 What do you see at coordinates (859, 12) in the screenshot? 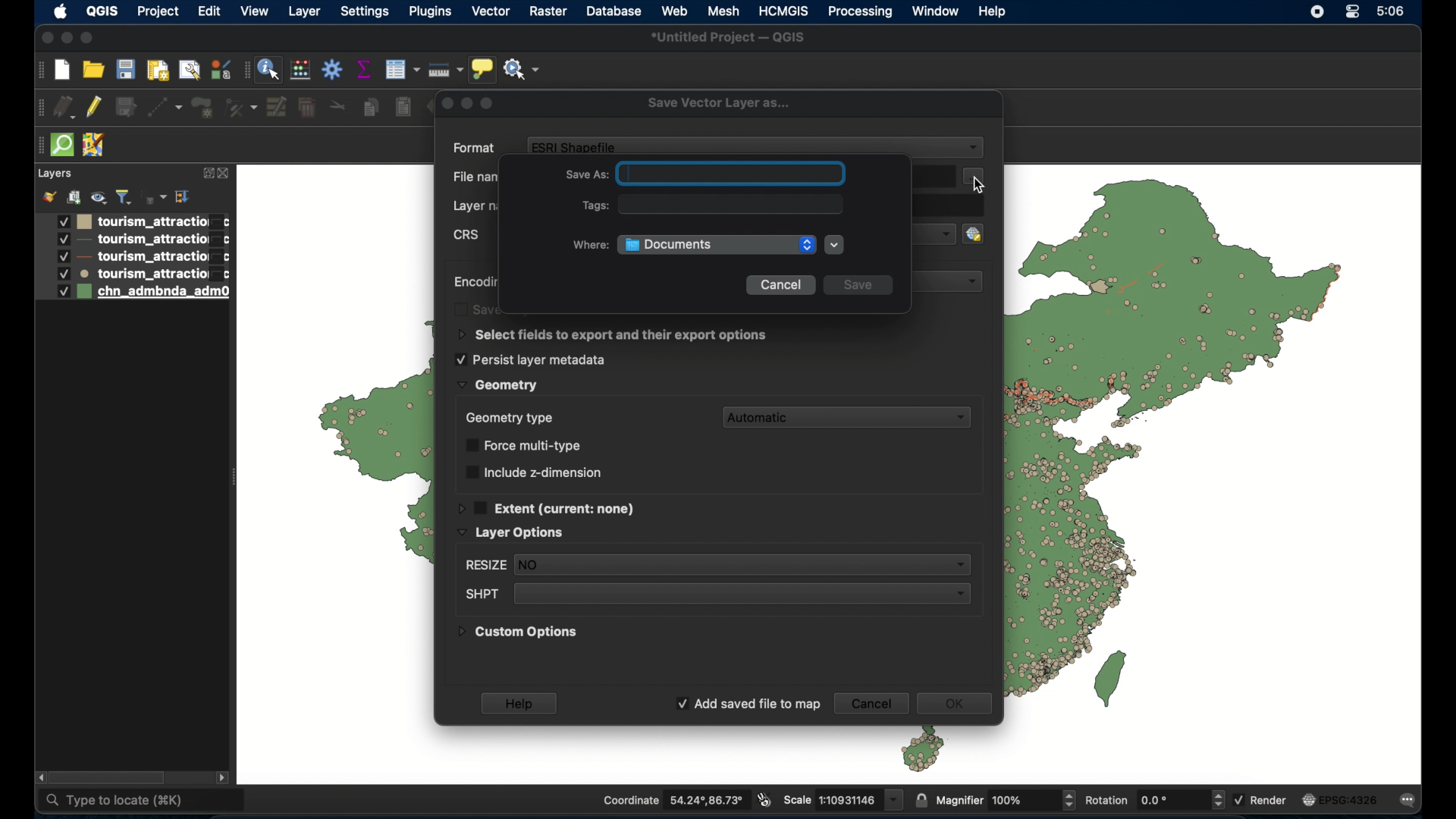
I see `processing` at bounding box center [859, 12].